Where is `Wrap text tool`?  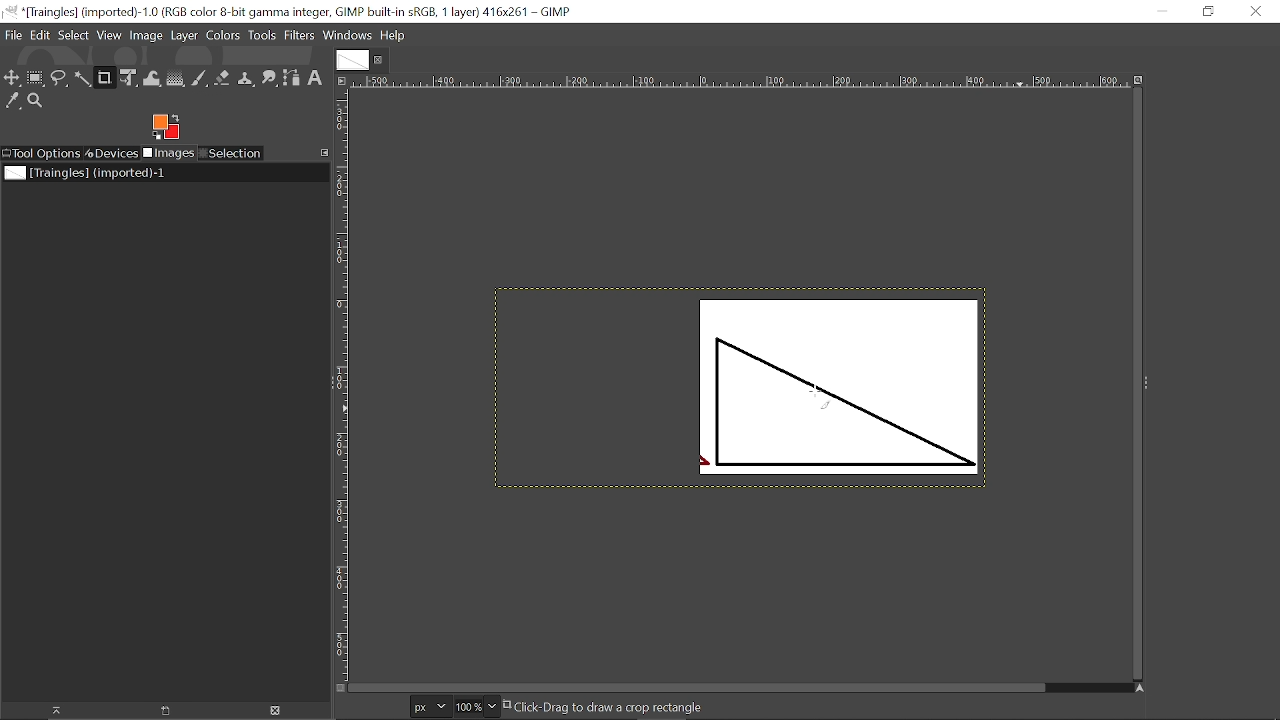 Wrap text tool is located at coordinates (153, 78).